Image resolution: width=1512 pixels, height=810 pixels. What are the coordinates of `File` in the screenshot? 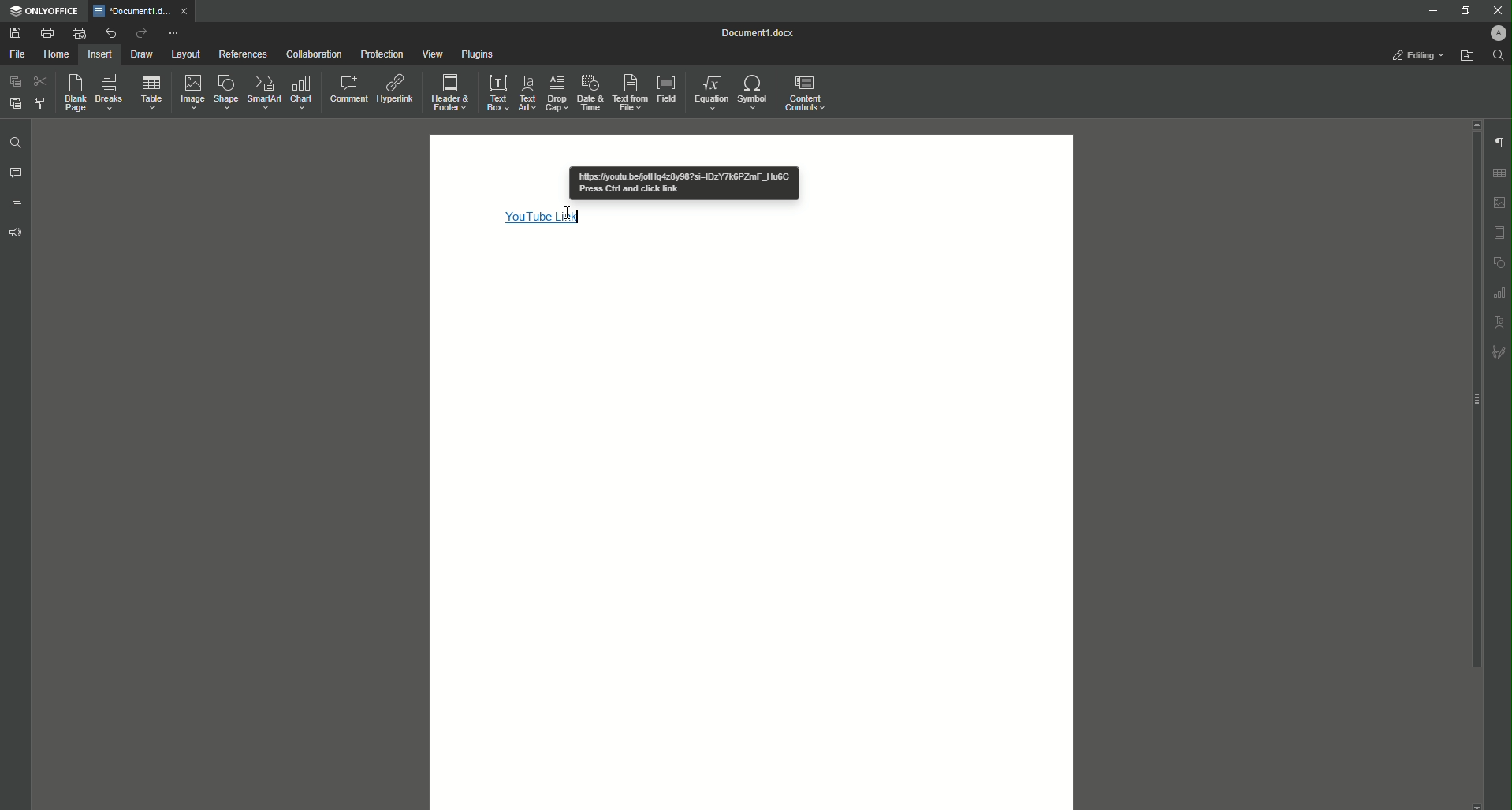 It's located at (17, 54).